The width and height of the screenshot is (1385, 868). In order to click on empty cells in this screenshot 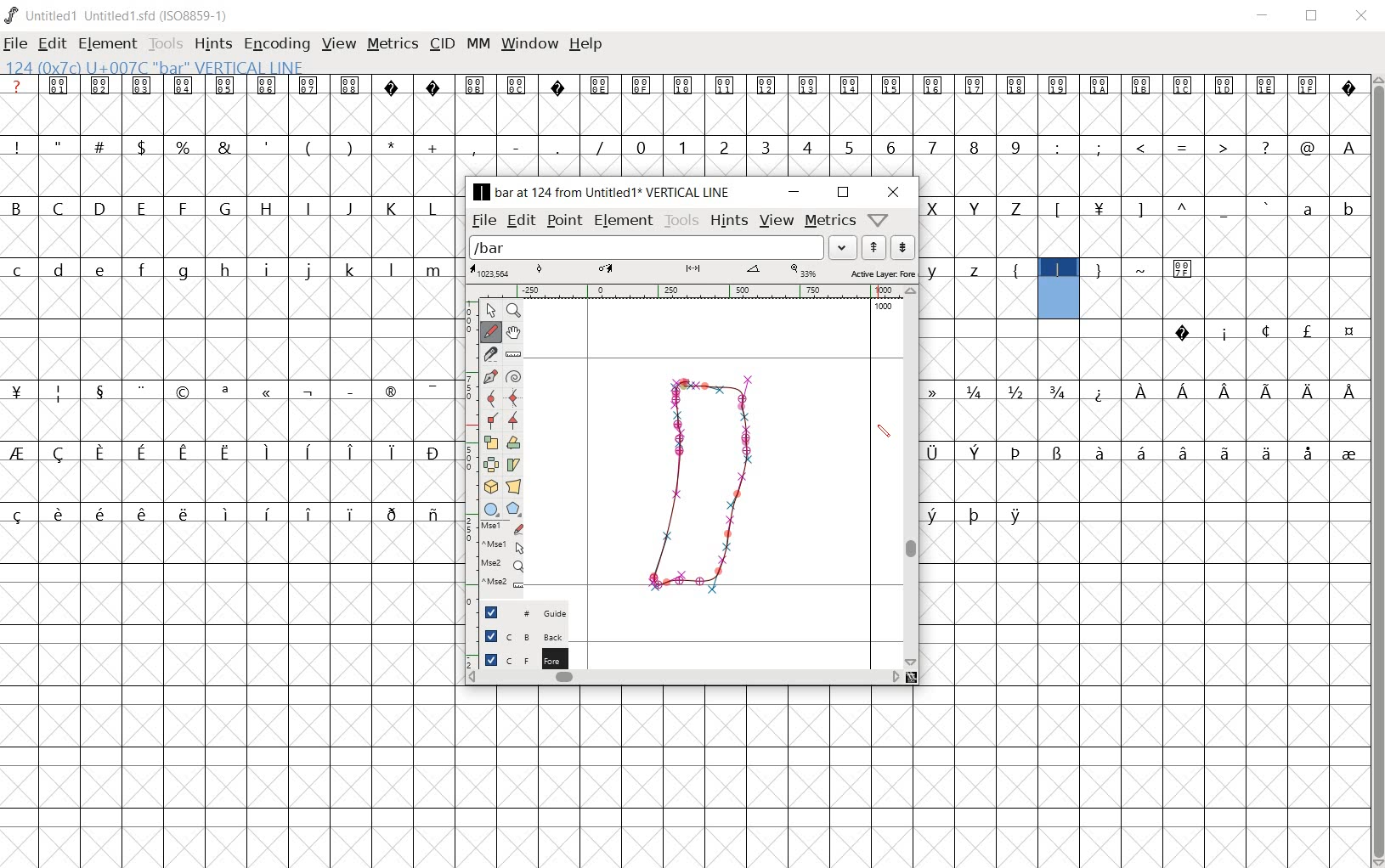, I will do `click(683, 116)`.